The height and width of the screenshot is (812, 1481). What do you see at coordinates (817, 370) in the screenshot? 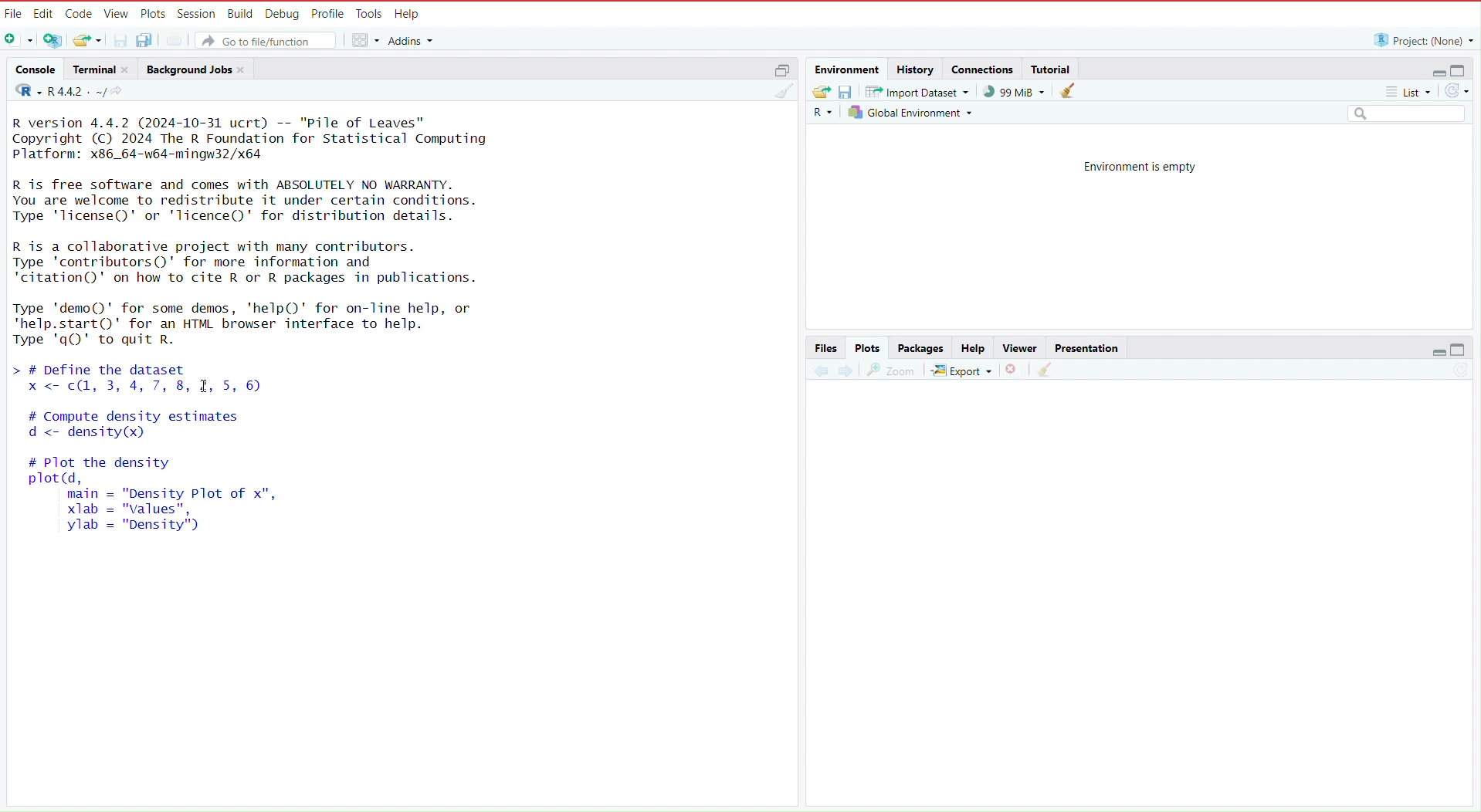
I see `previous plot` at bounding box center [817, 370].